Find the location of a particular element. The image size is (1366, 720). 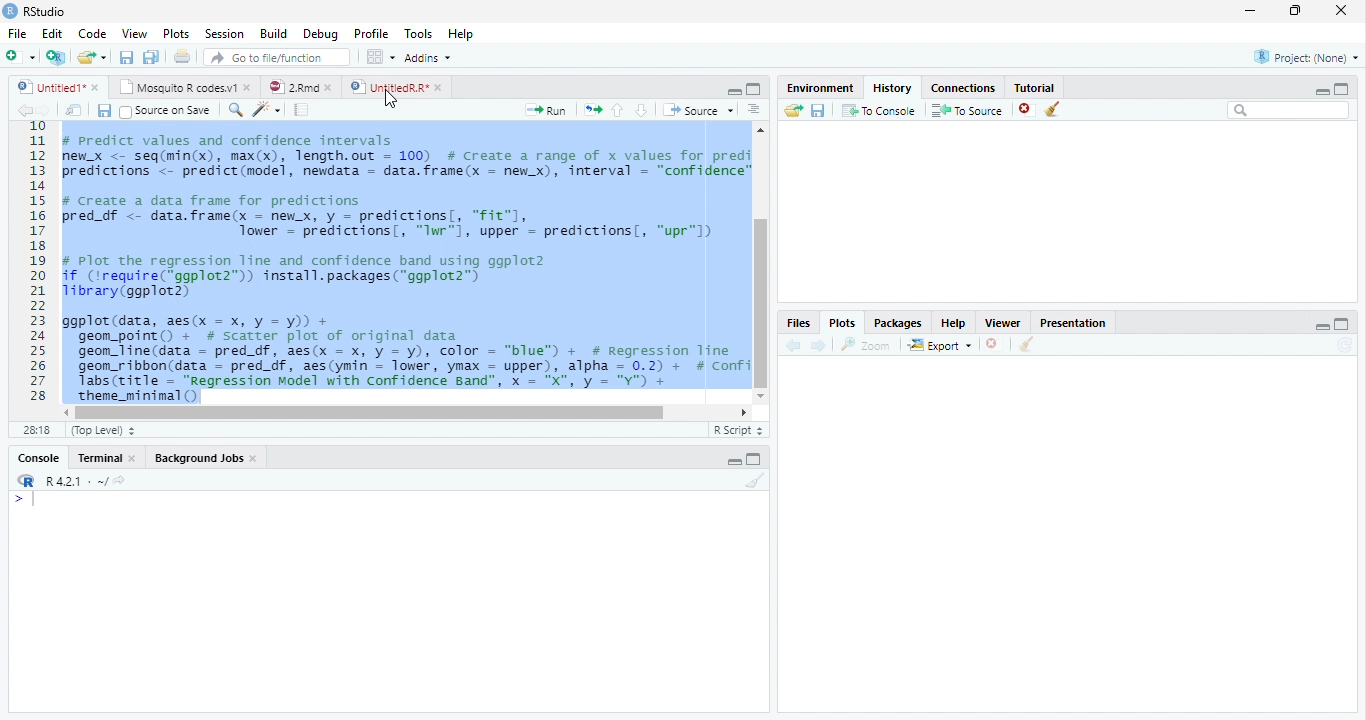

Edit is located at coordinates (54, 33).